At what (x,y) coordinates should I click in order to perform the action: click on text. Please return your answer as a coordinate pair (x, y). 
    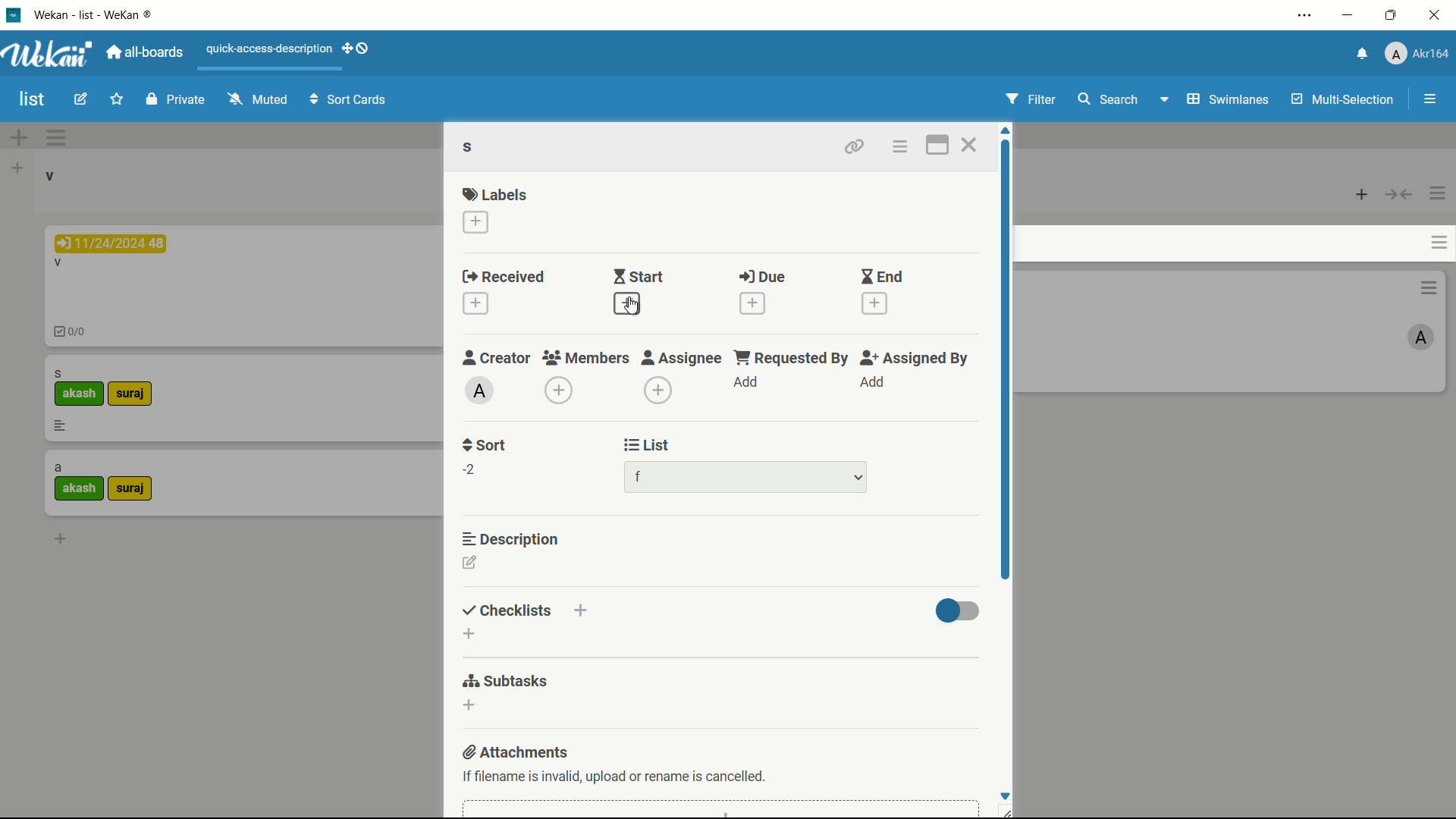
    Looking at the image, I should click on (613, 776).